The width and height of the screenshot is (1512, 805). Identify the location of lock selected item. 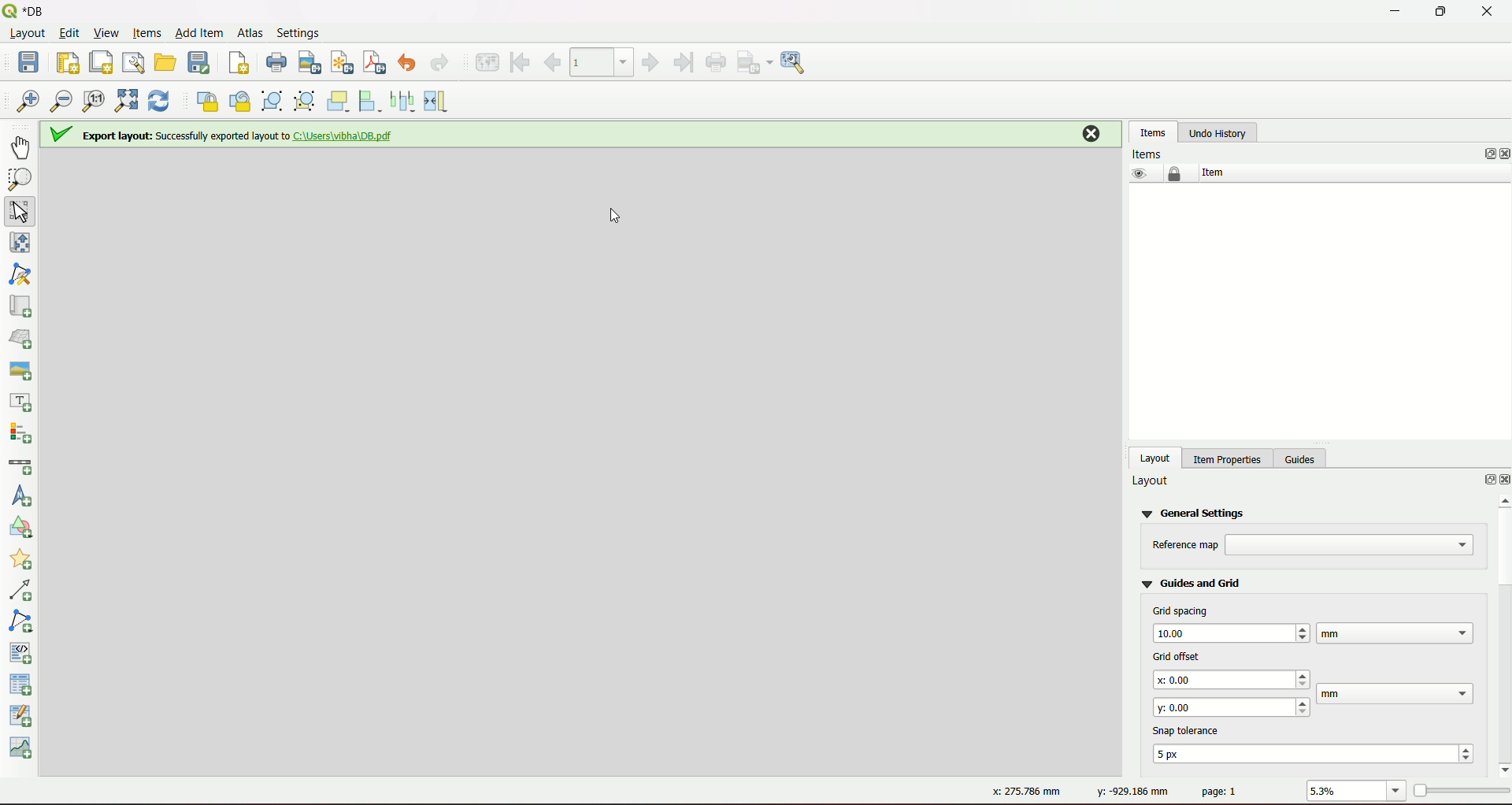
(205, 100).